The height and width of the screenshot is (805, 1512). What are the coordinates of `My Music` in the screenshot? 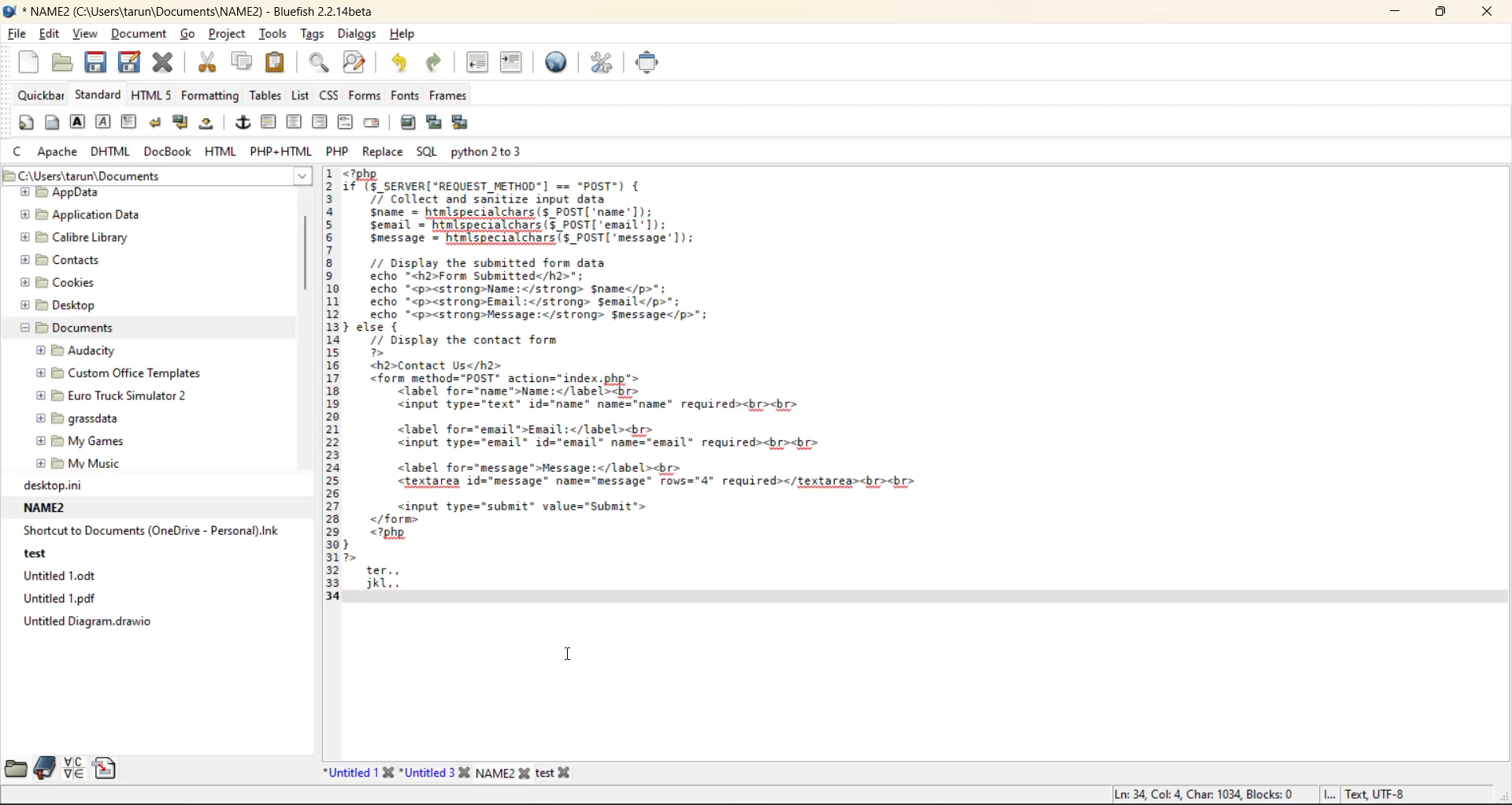 It's located at (76, 463).